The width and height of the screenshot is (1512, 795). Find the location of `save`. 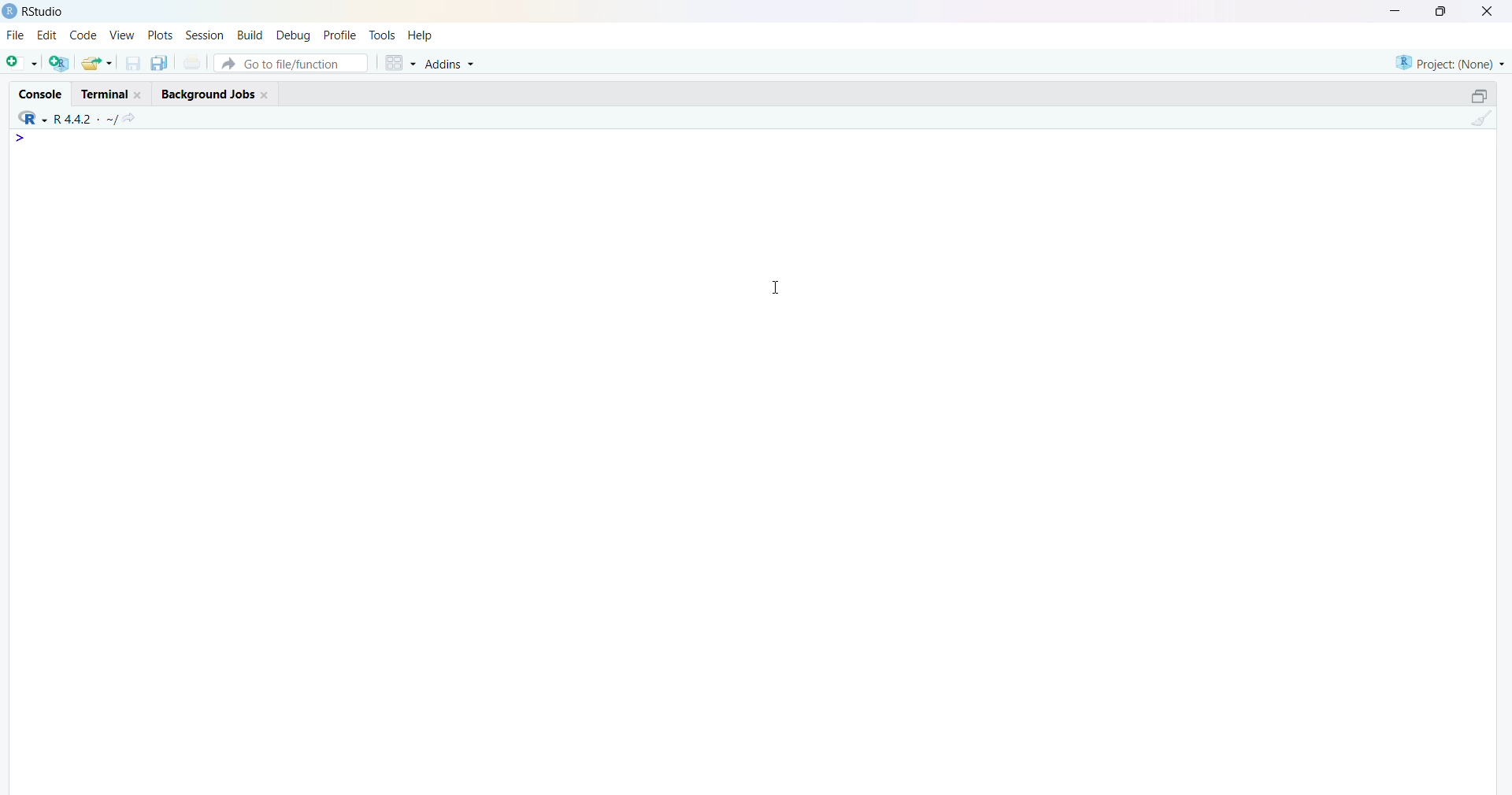

save is located at coordinates (135, 64).